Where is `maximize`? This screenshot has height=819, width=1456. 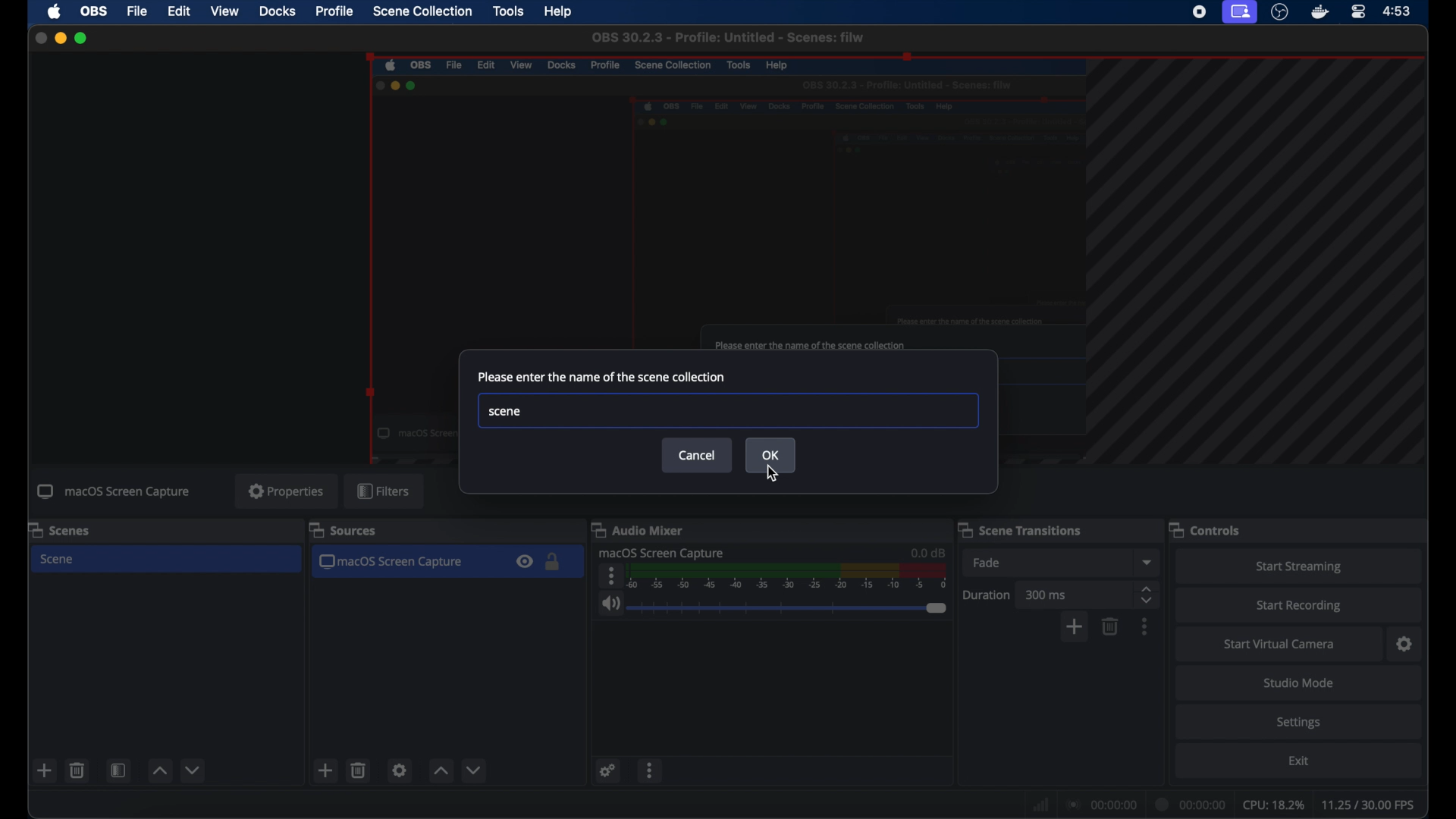
maximize is located at coordinates (86, 39).